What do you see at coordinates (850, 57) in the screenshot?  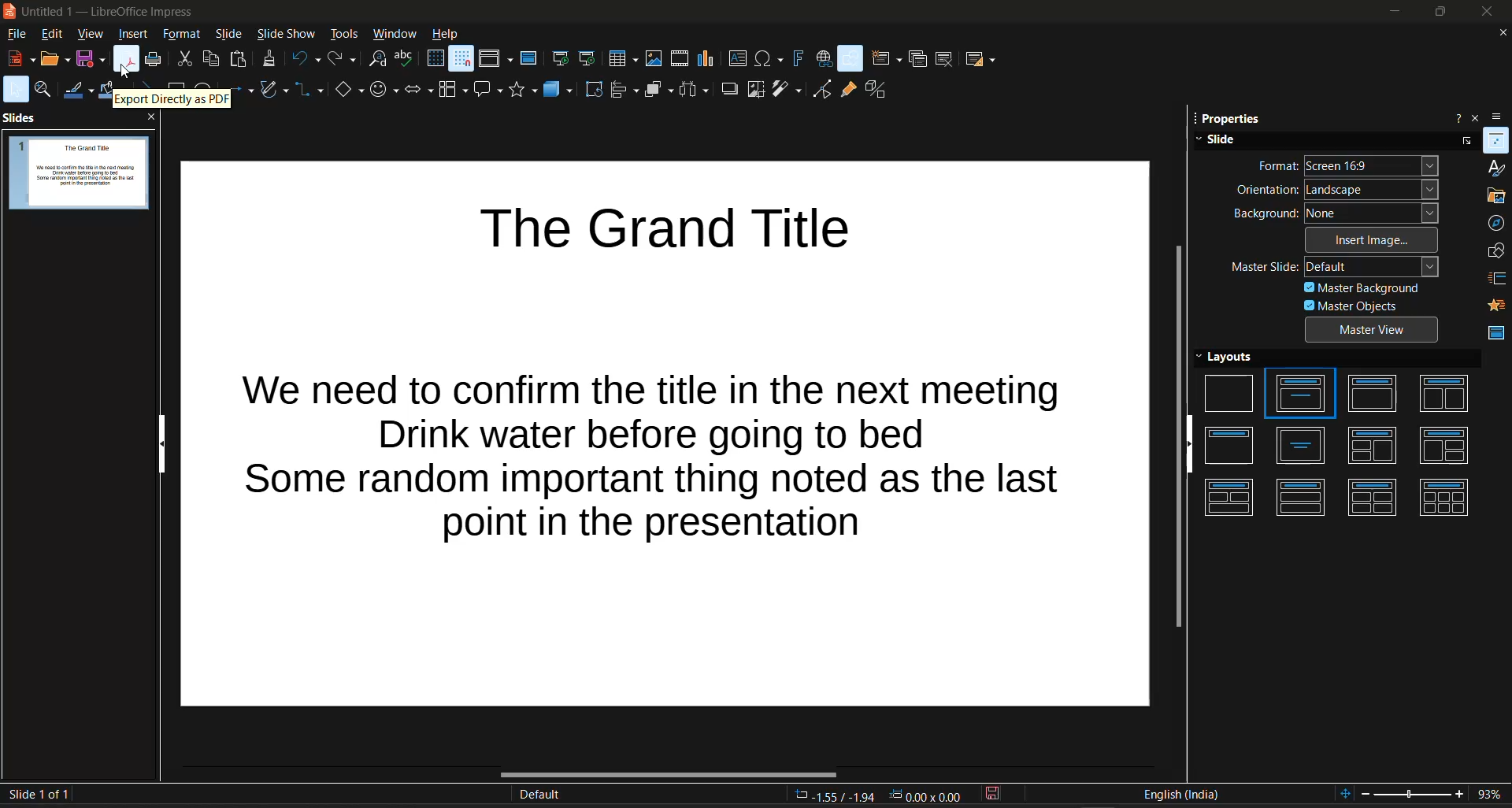 I see `show draw functions` at bounding box center [850, 57].